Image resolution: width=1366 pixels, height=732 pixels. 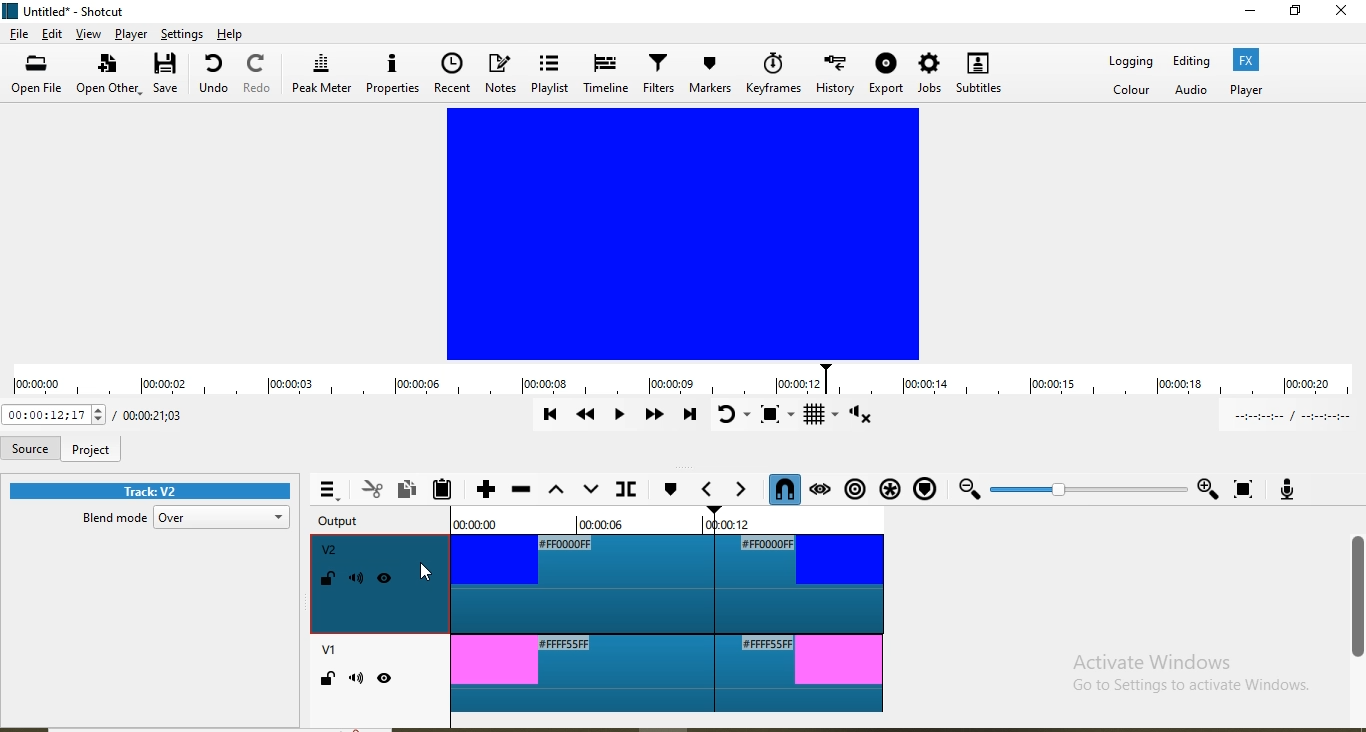 I want to click on scroll bar, so click(x=1357, y=599).